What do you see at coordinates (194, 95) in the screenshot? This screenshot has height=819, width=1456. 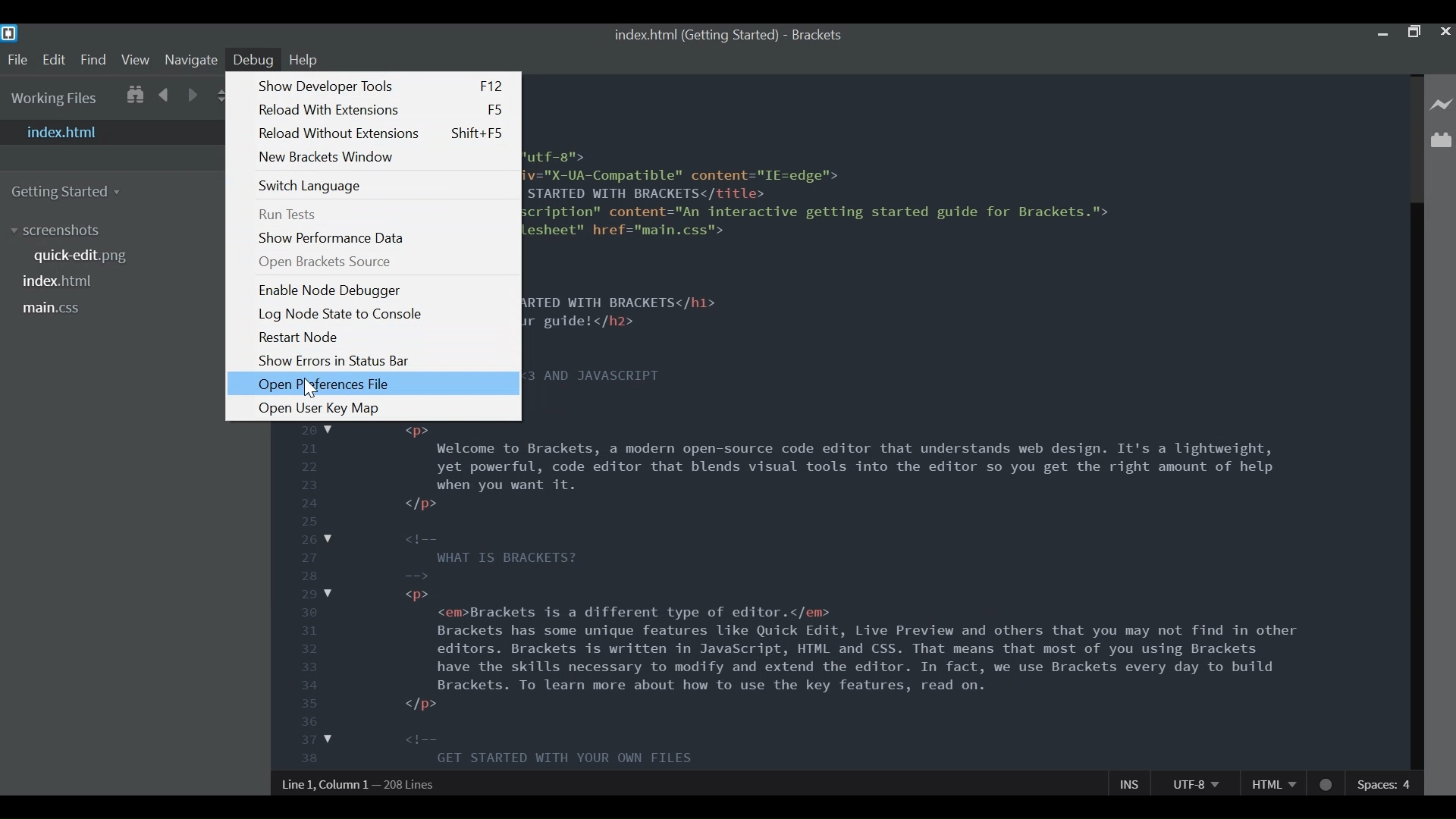 I see `Navigate Forward` at bounding box center [194, 95].